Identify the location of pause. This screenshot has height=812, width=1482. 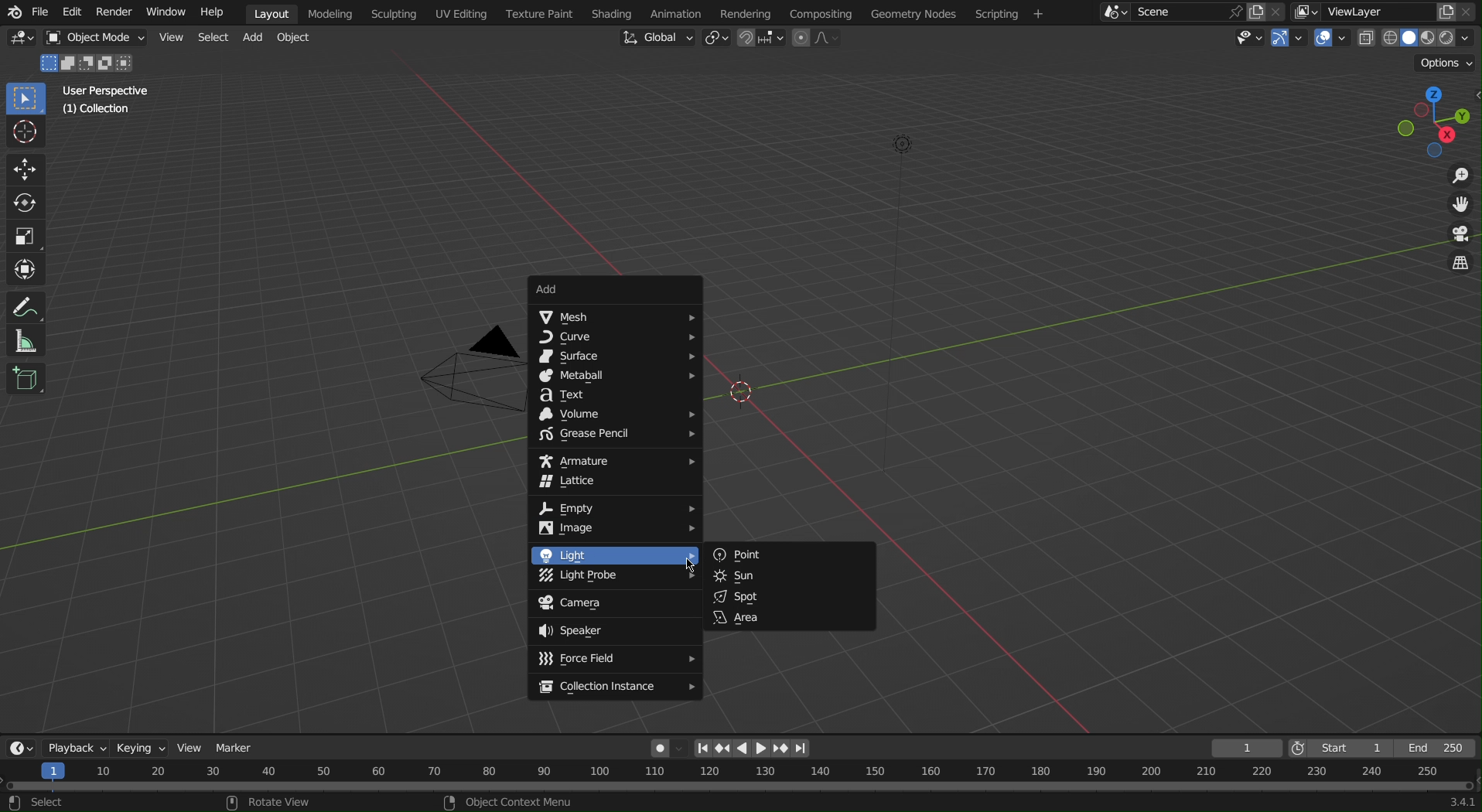
(740, 747).